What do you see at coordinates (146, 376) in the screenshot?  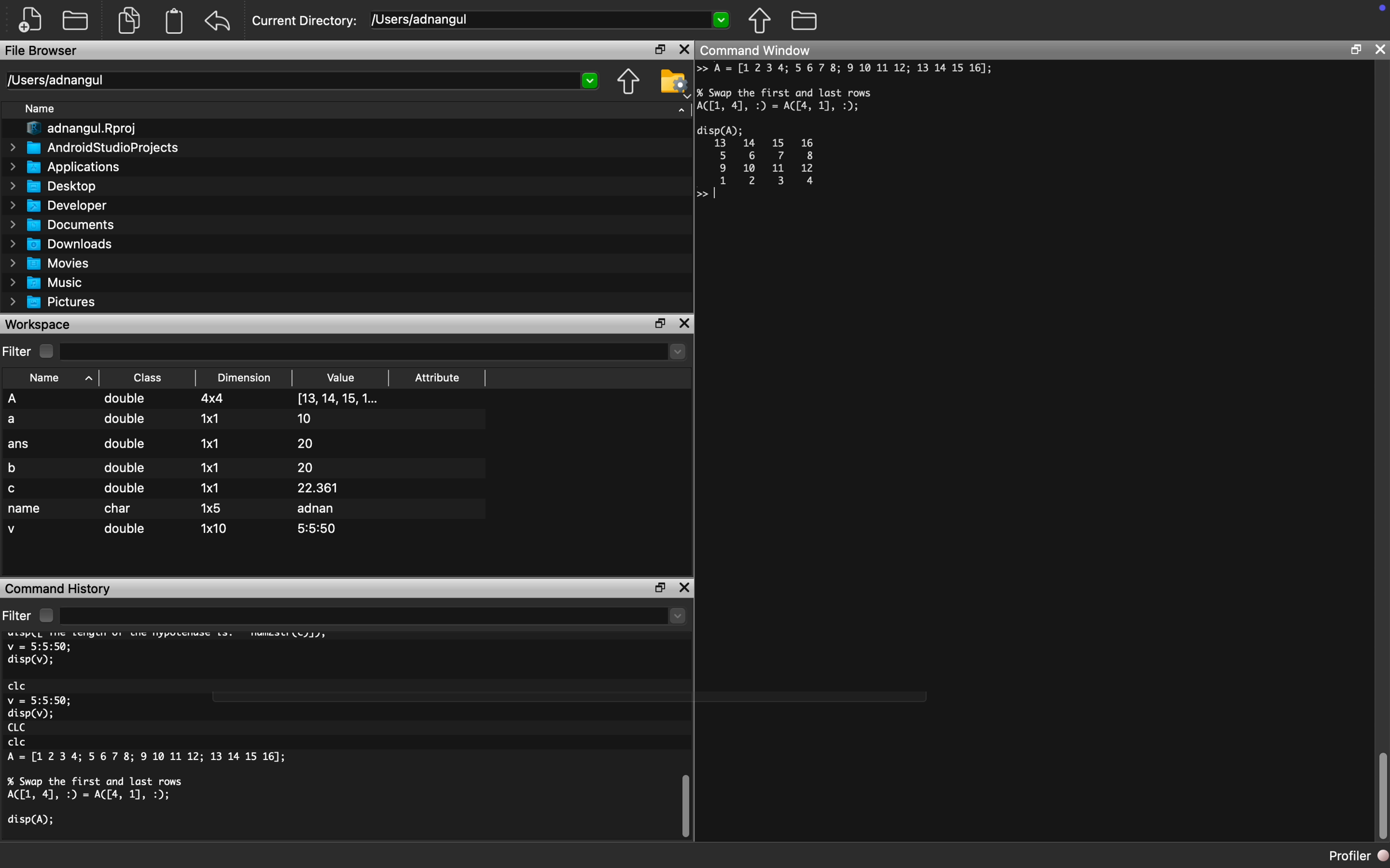 I see `Class` at bounding box center [146, 376].